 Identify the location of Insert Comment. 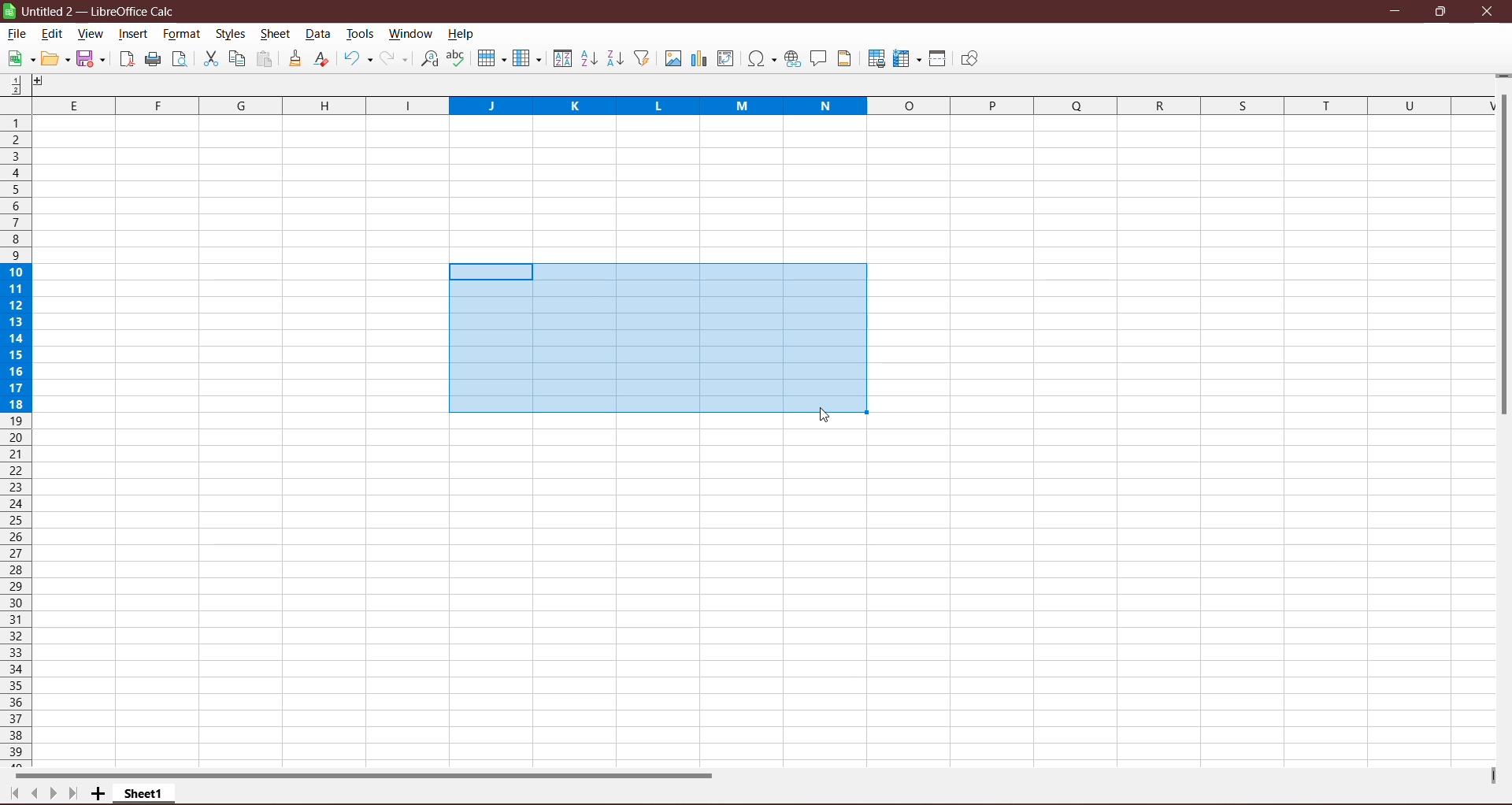
(819, 59).